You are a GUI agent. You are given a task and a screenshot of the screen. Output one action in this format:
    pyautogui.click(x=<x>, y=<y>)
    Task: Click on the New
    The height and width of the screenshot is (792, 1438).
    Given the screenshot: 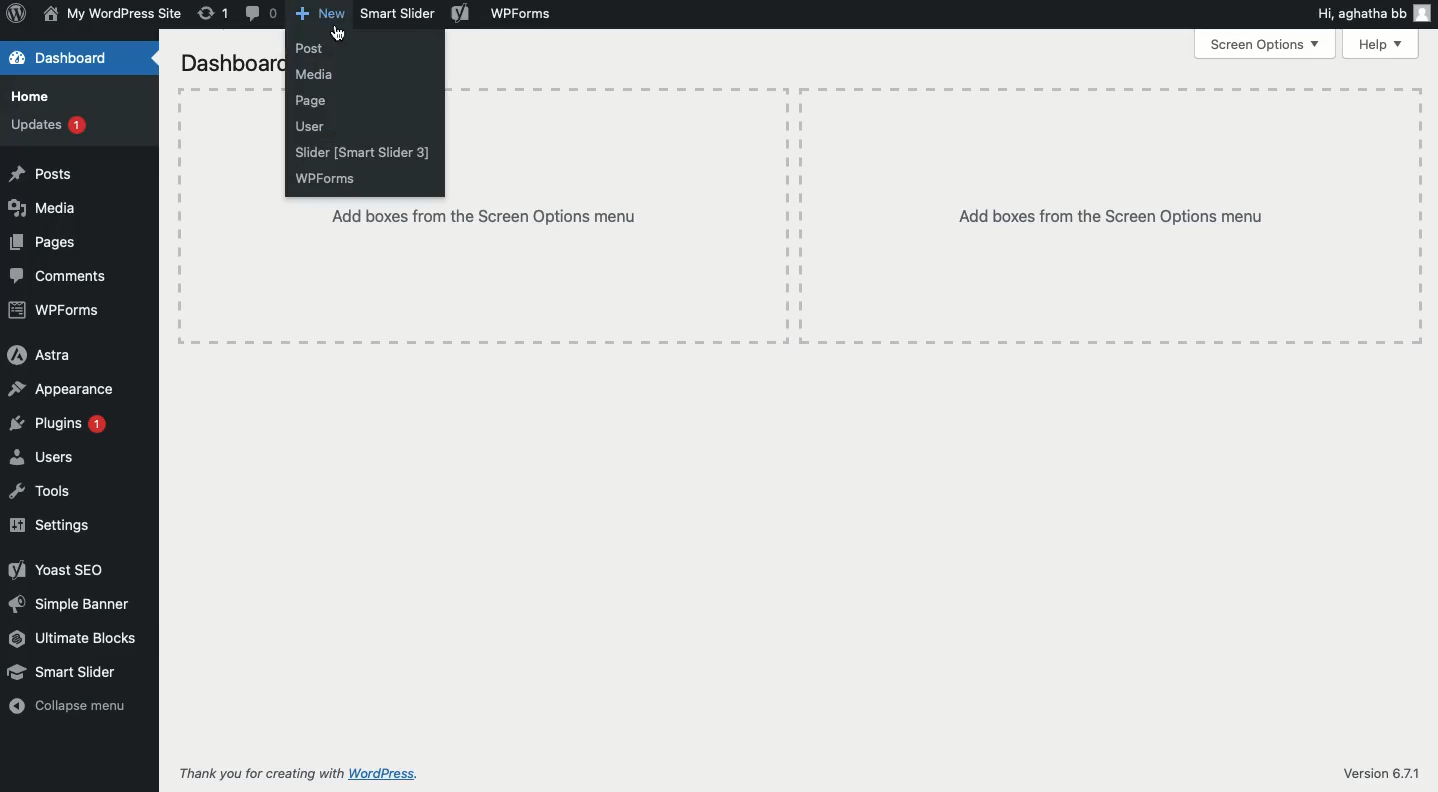 What is the action you would take?
    pyautogui.click(x=322, y=15)
    